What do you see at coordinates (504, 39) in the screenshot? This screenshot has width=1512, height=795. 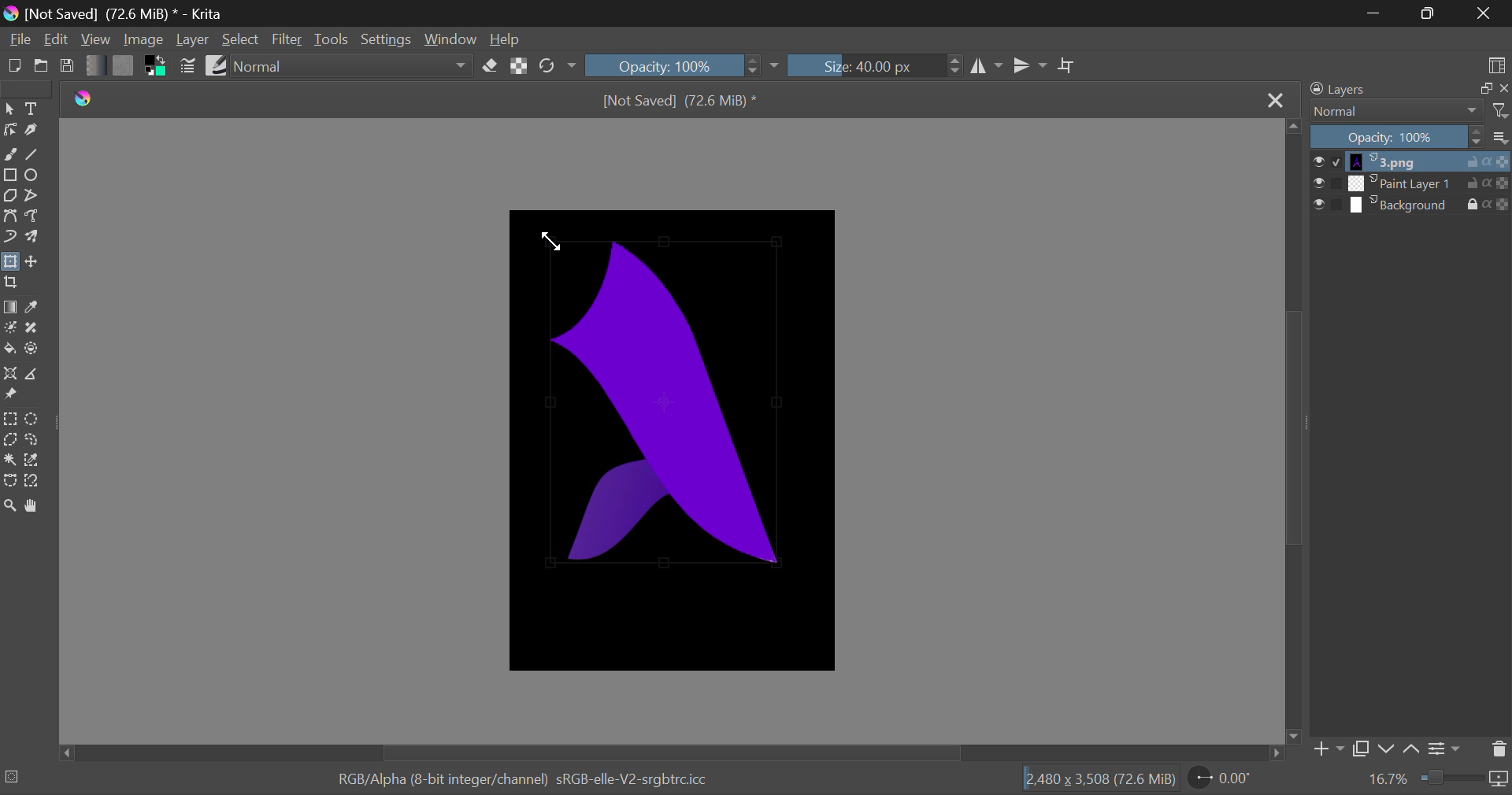 I see `Help` at bounding box center [504, 39].